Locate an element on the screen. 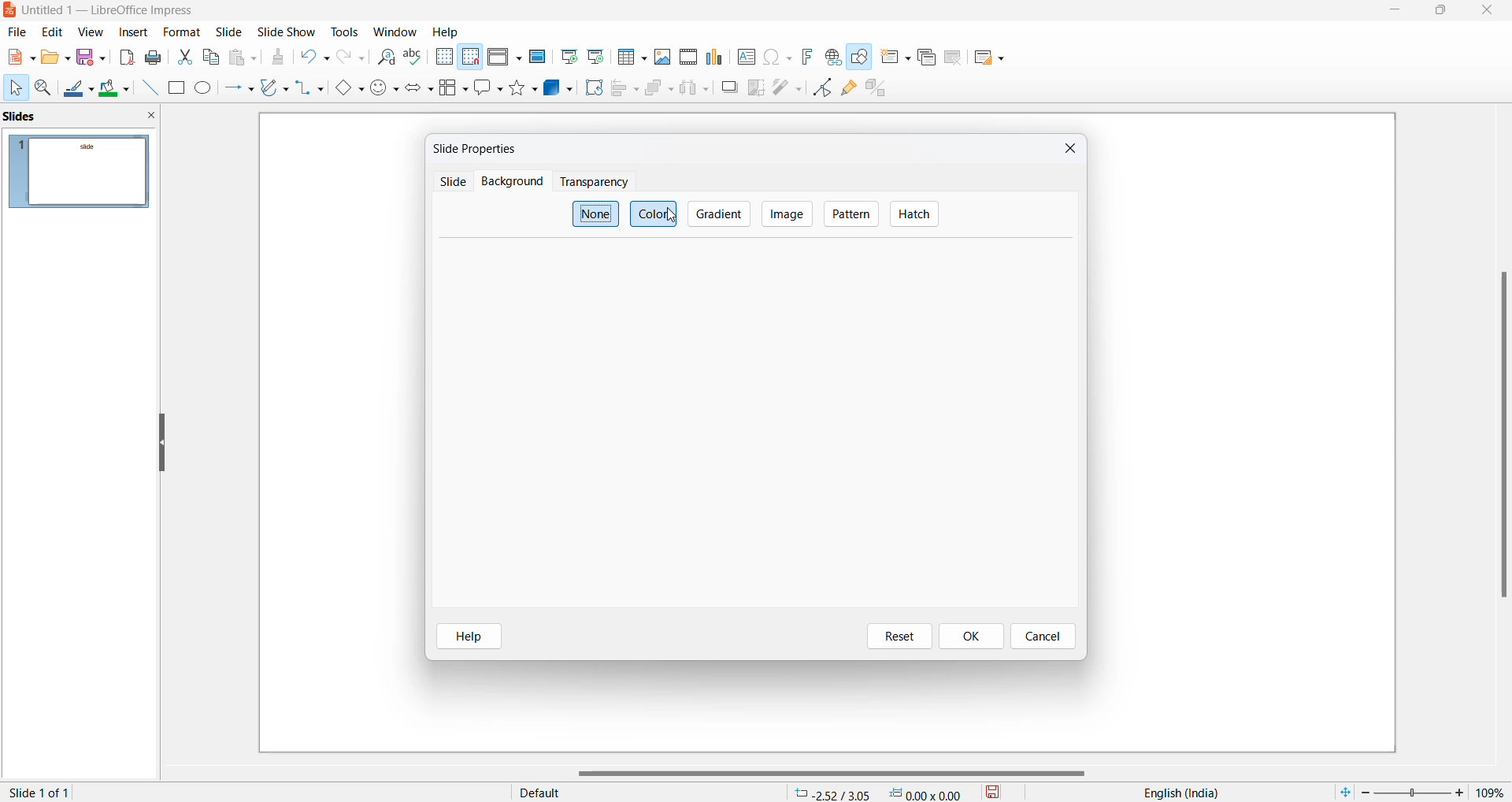 This screenshot has width=1512, height=802. fit to window is located at coordinates (1344, 790).